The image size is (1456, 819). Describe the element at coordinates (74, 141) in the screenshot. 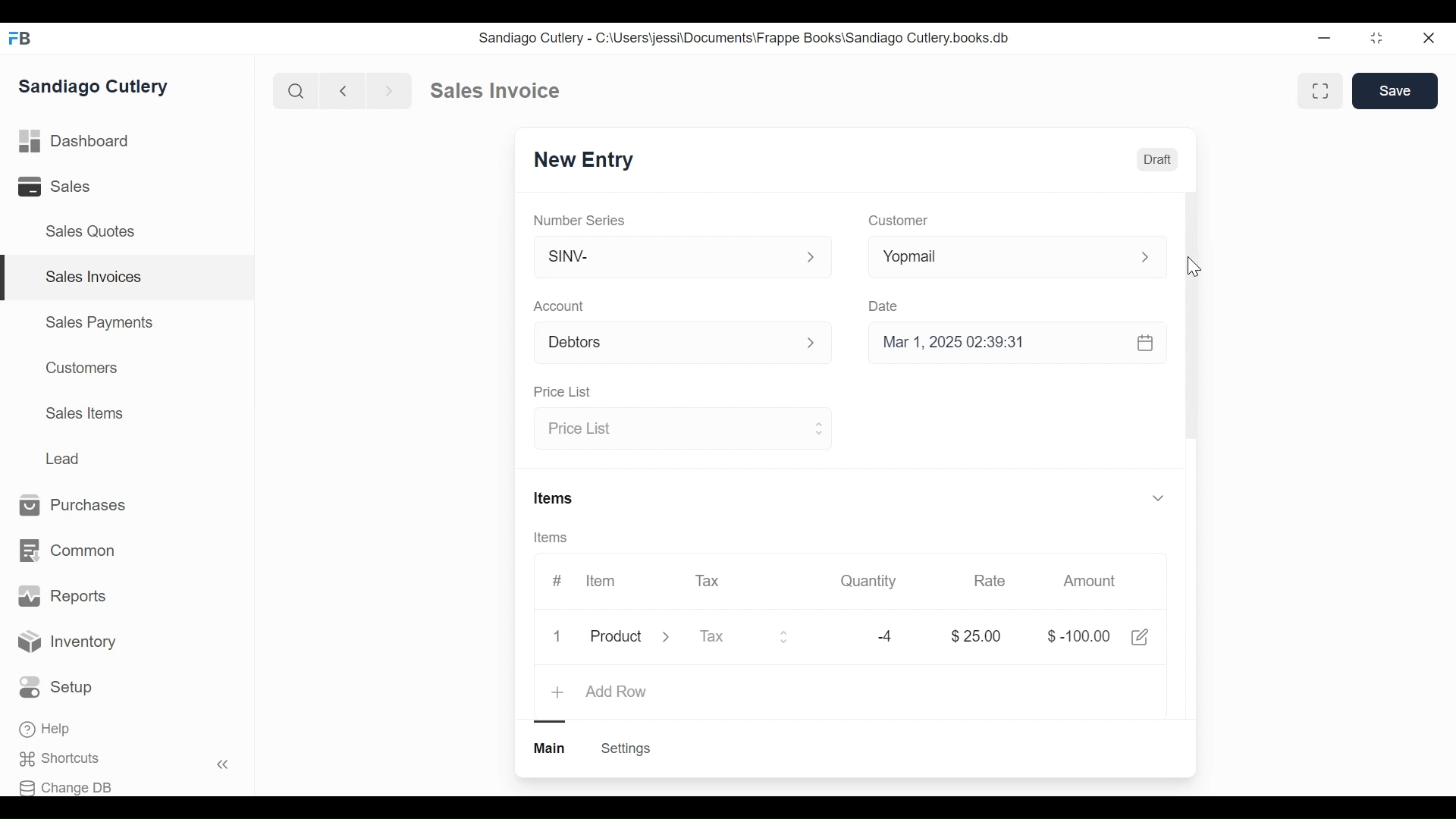

I see `Dashboard` at that location.